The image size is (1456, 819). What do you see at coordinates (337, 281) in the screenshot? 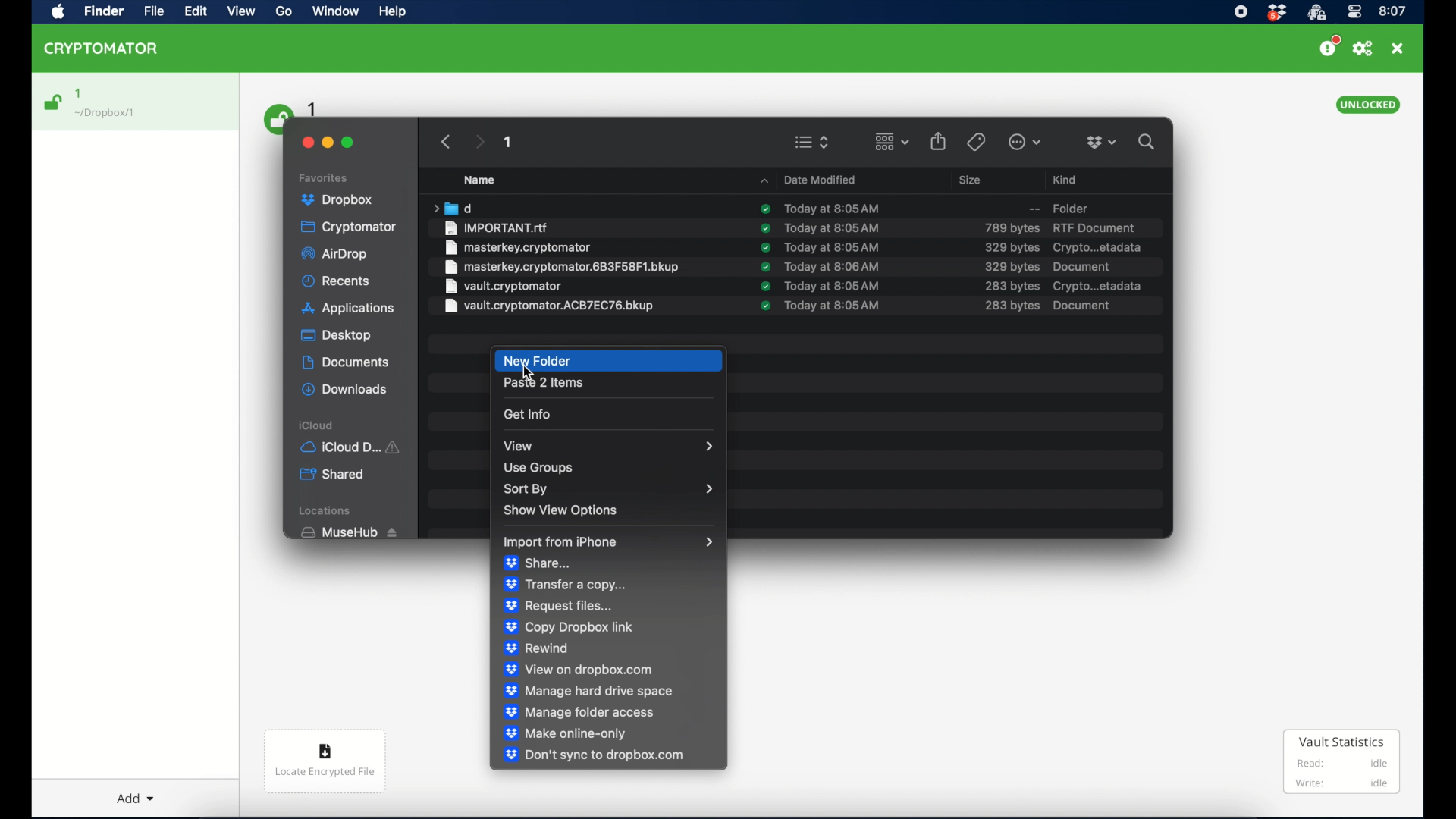
I see `recents` at bounding box center [337, 281].